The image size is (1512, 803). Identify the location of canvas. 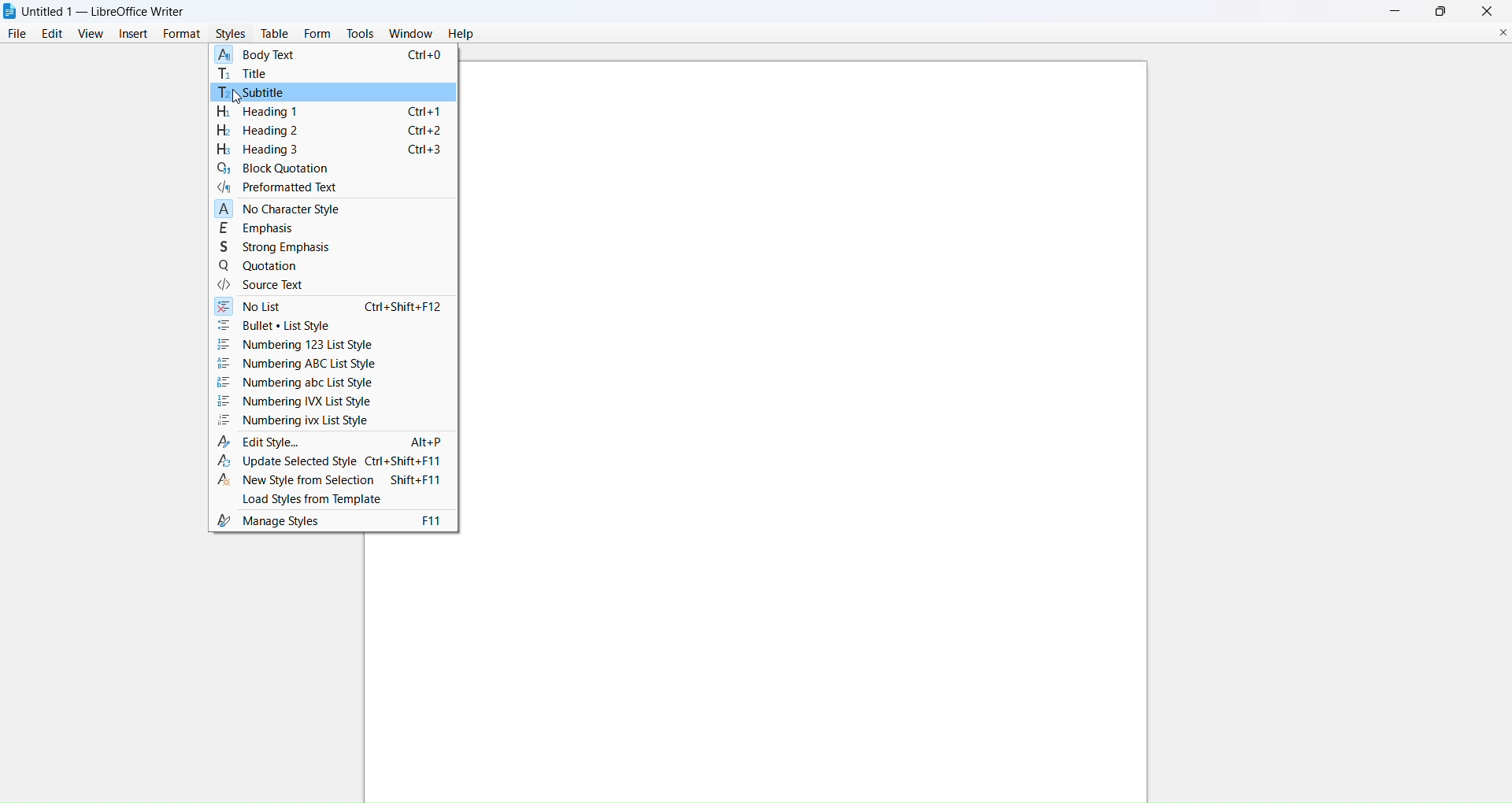
(813, 431).